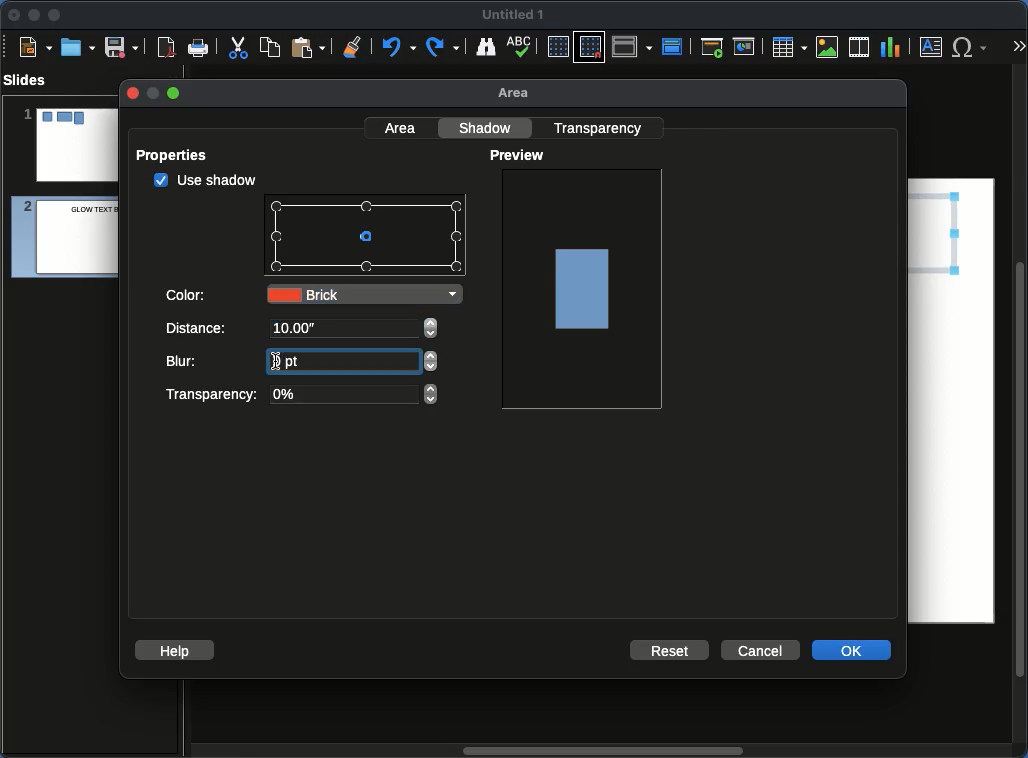  I want to click on Shadow, so click(488, 127).